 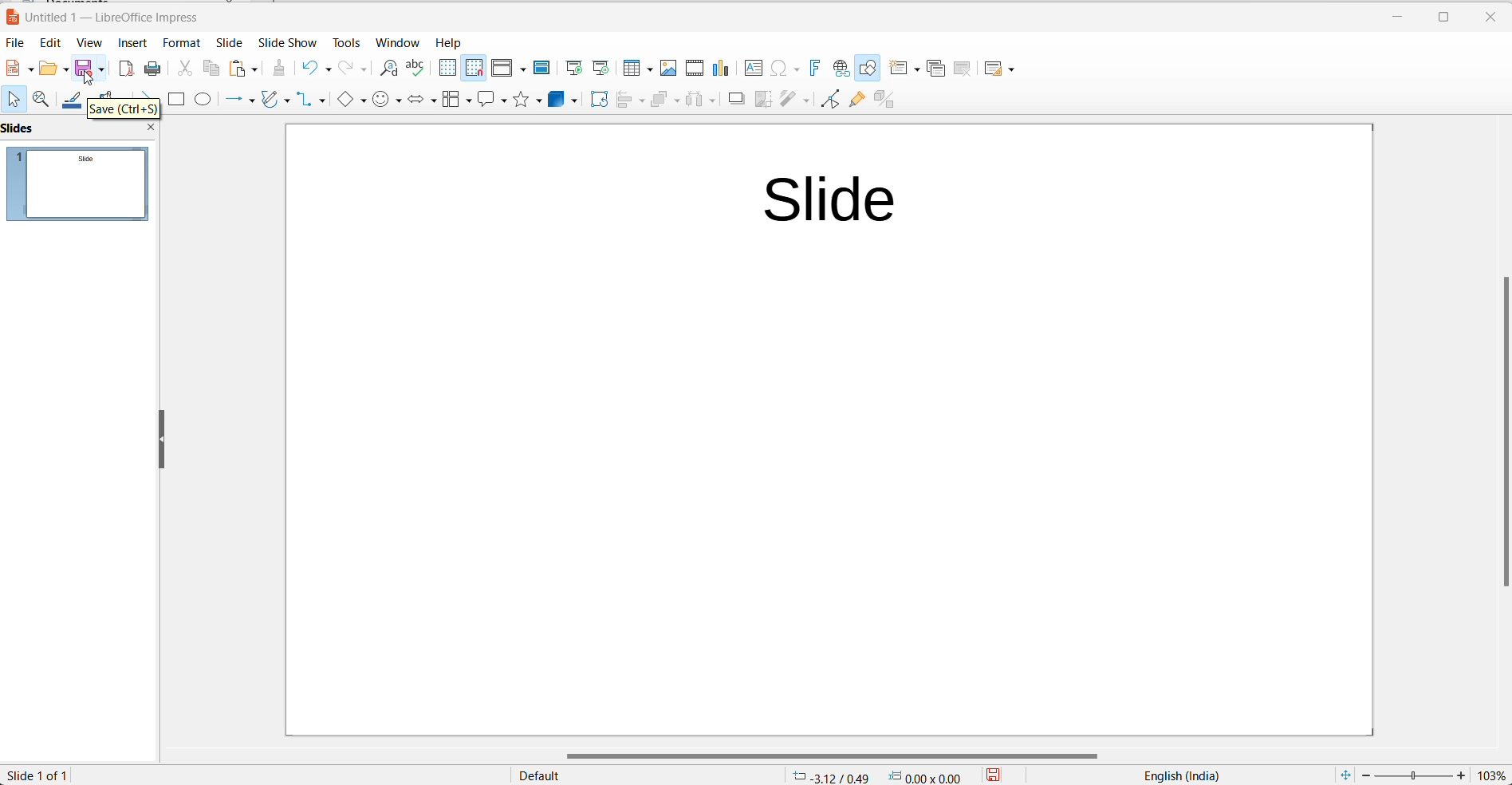 I want to click on maximize, so click(x=1437, y=20).